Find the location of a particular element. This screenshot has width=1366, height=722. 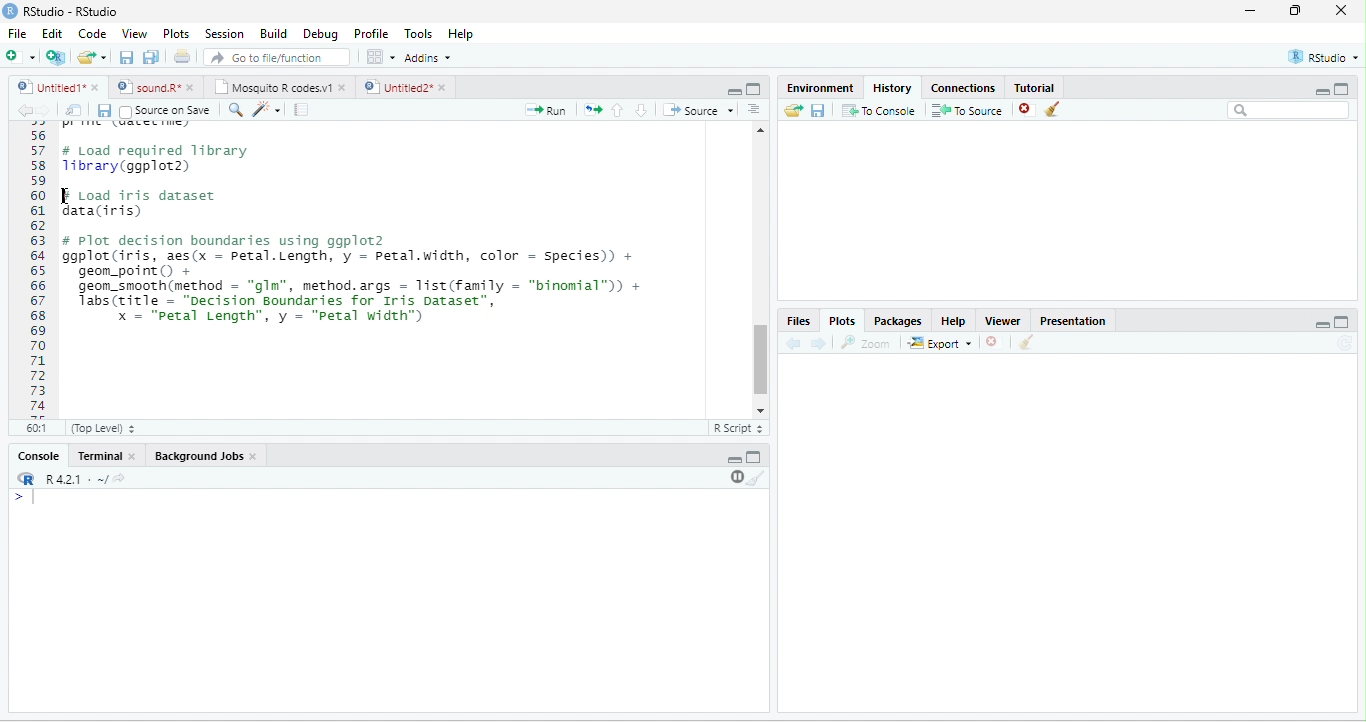

Maximize is located at coordinates (1341, 322).